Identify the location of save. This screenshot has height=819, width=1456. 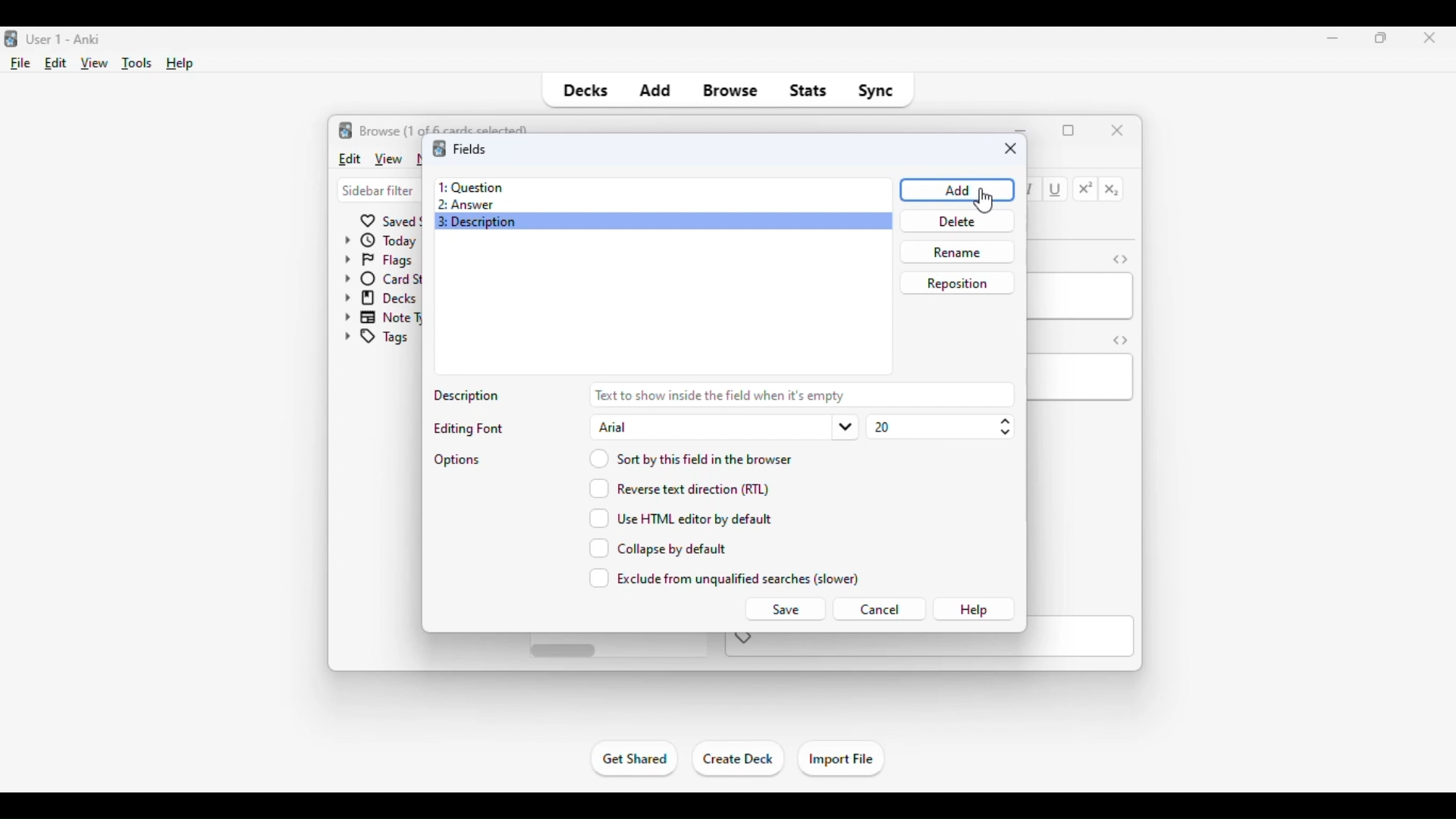
(784, 608).